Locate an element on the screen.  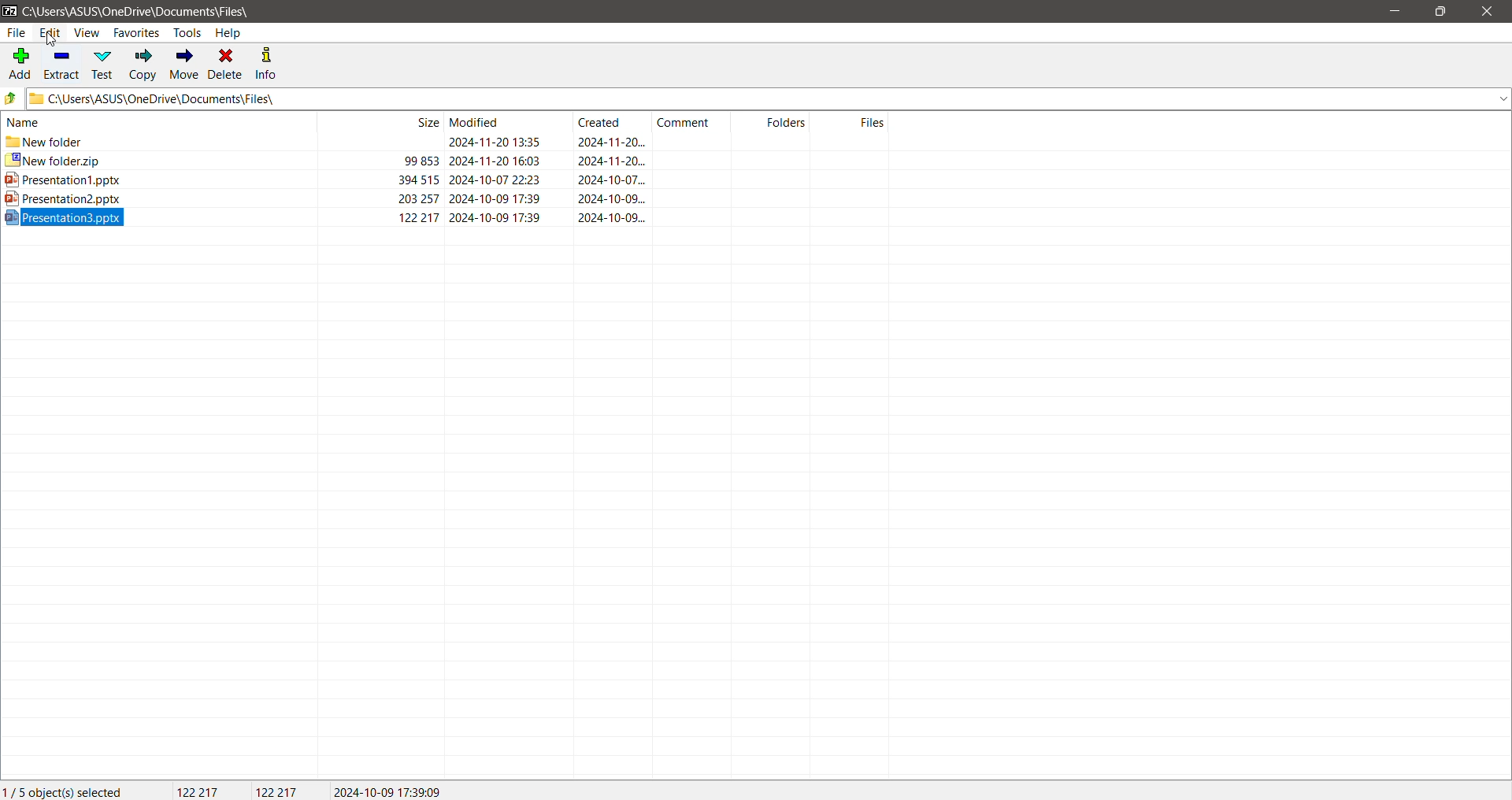
Help is located at coordinates (234, 32).